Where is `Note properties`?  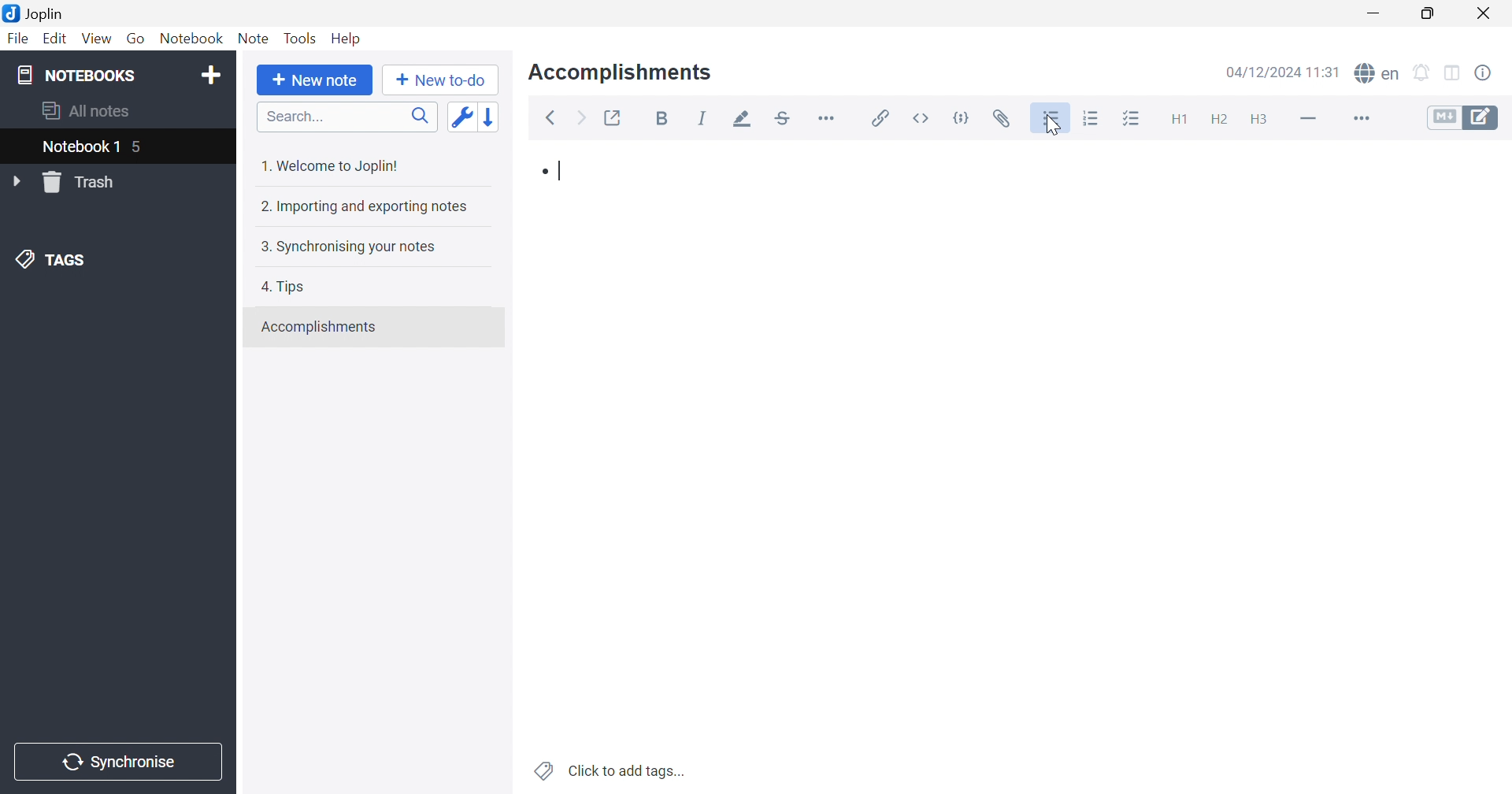
Note properties is located at coordinates (1486, 74).